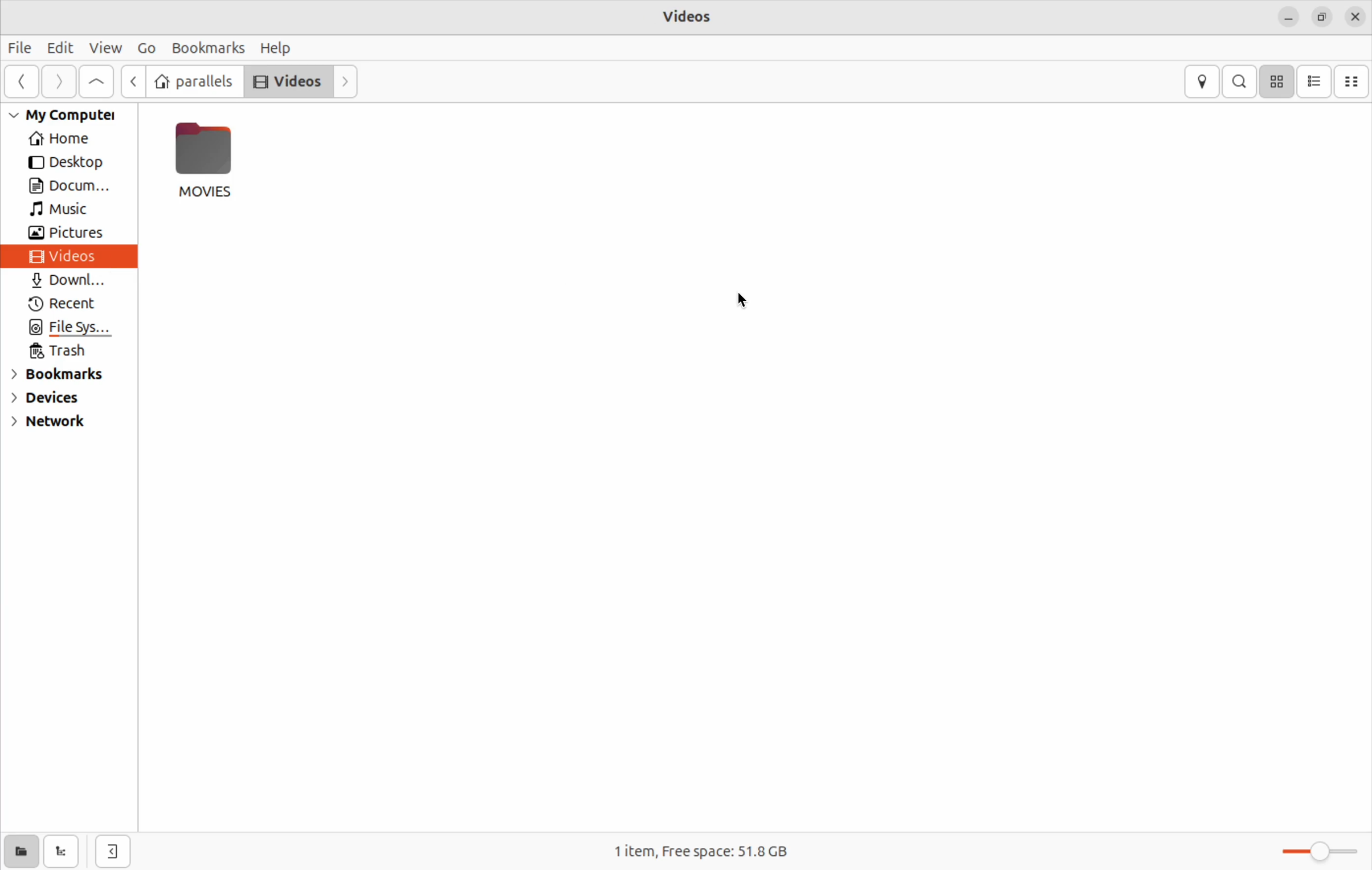 This screenshot has width=1372, height=870. What do you see at coordinates (22, 81) in the screenshot?
I see `Go previous` at bounding box center [22, 81].